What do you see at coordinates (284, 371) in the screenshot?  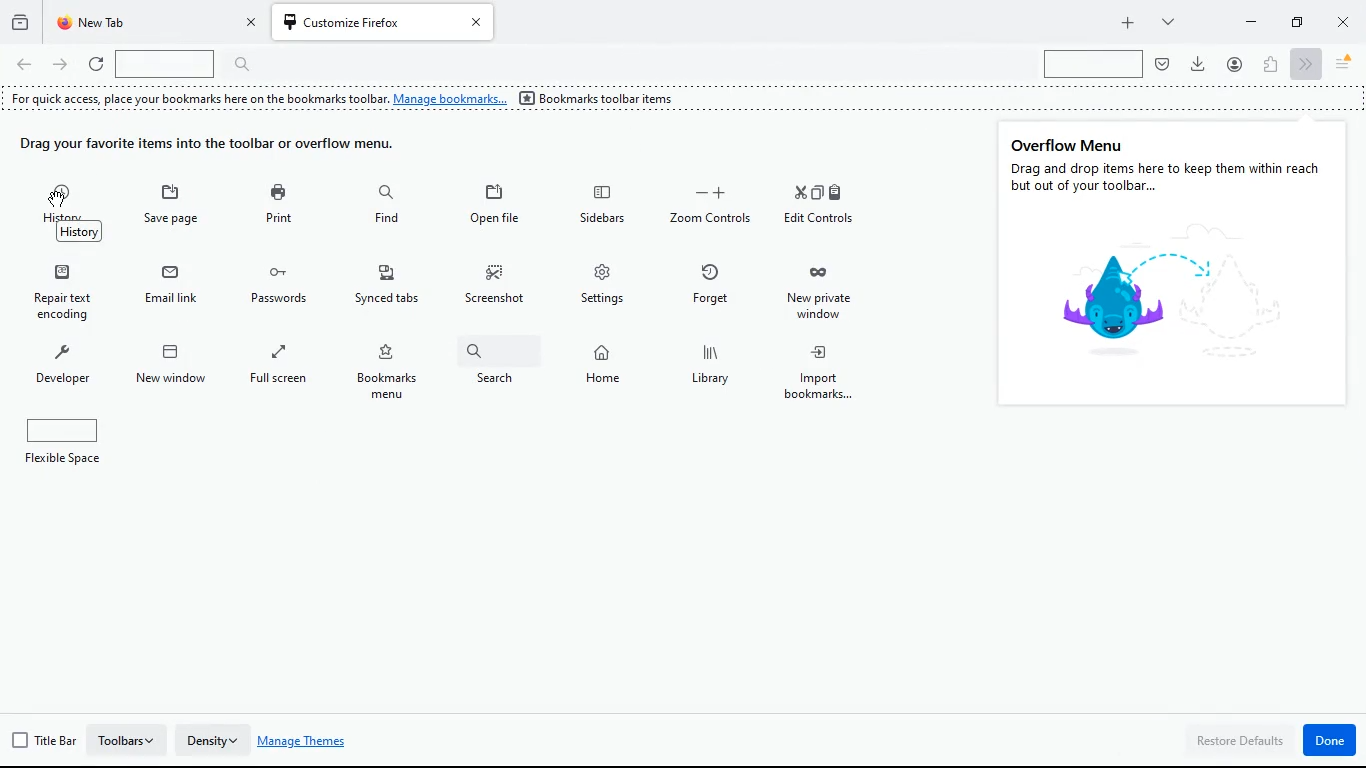 I see `full screen` at bounding box center [284, 371].